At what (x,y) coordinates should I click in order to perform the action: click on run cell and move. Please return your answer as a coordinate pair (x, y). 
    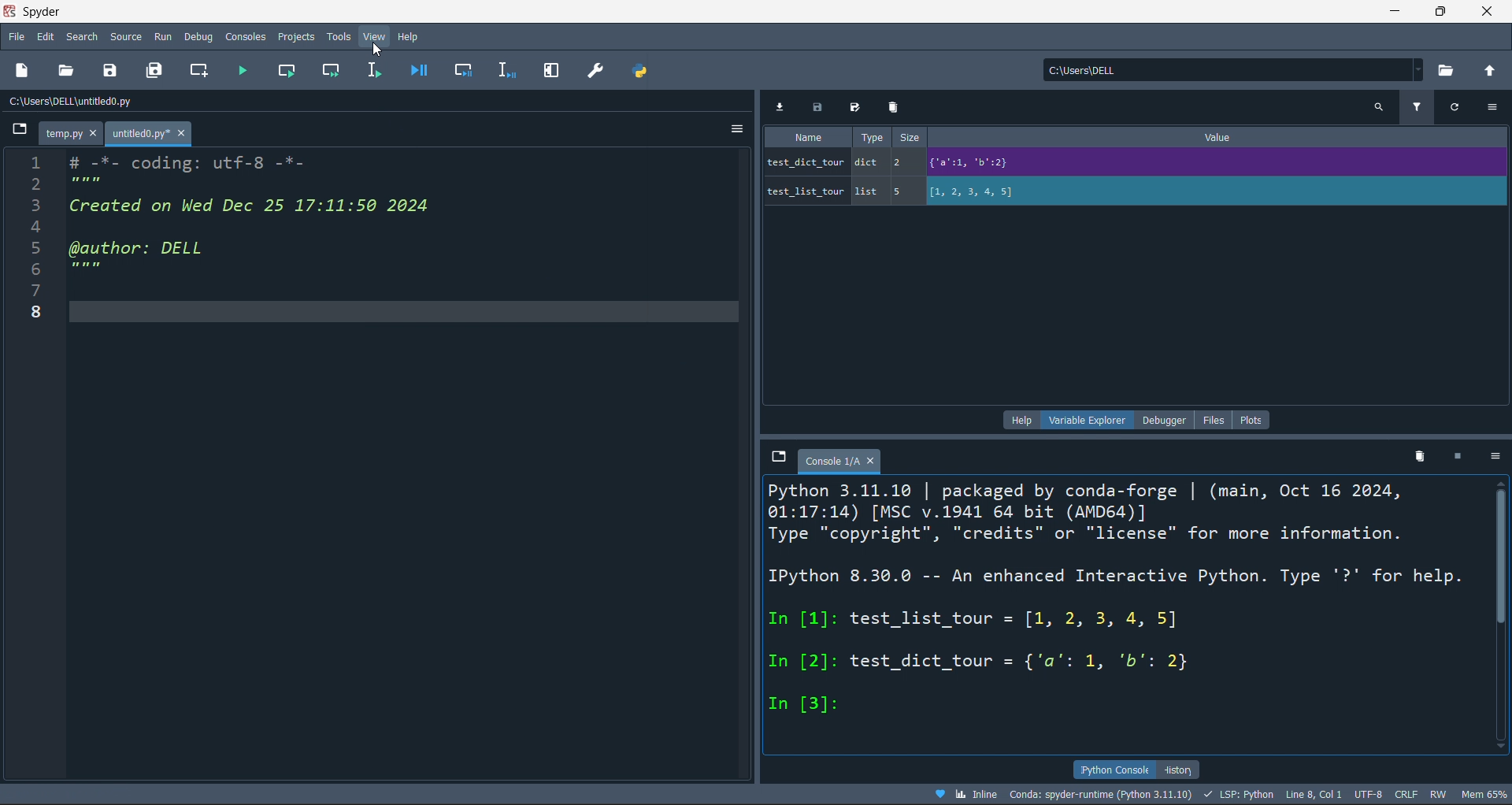
    Looking at the image, I should click on (333, 71).